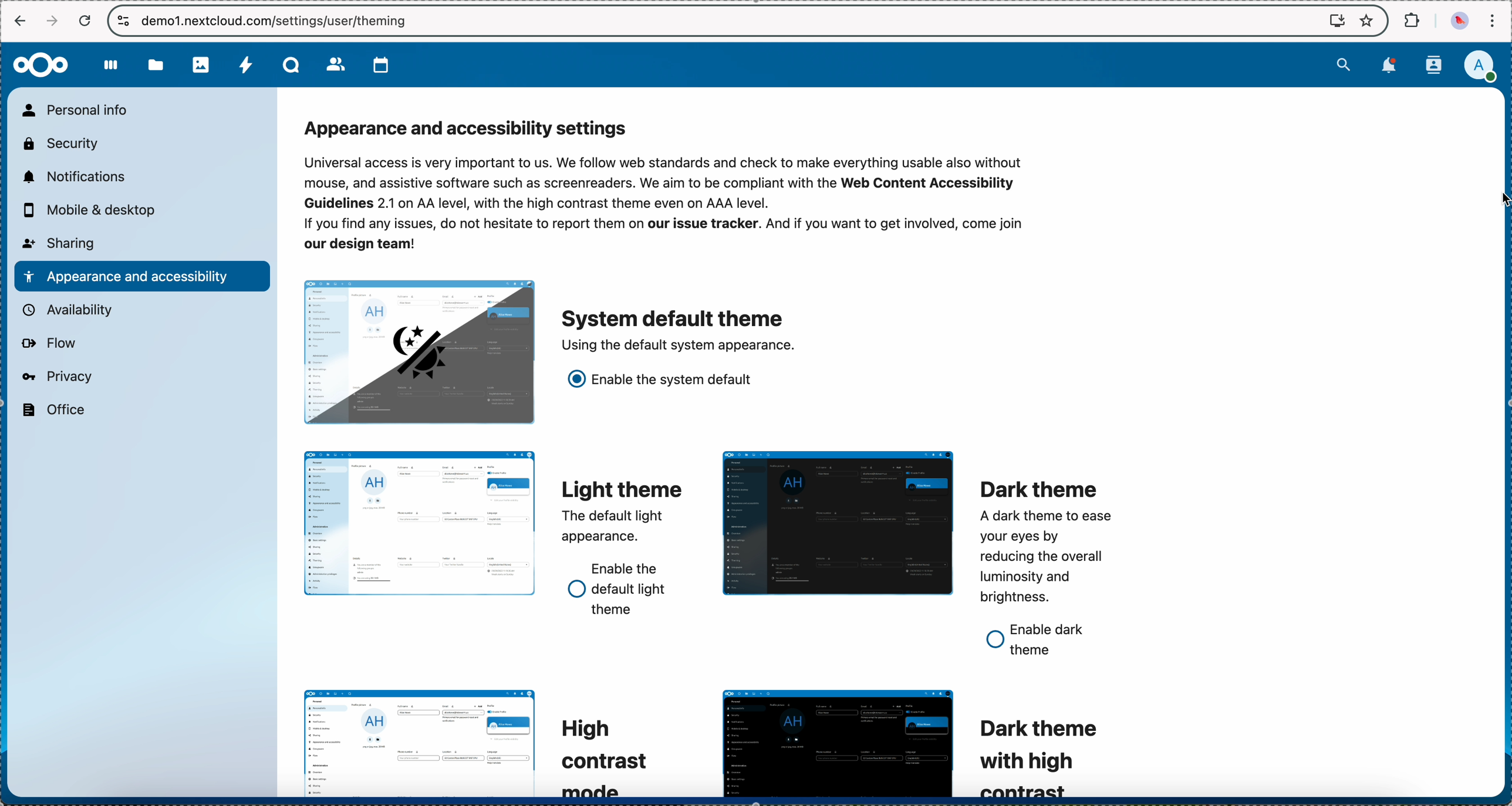  I want to click on notifications, so click(76, 178).